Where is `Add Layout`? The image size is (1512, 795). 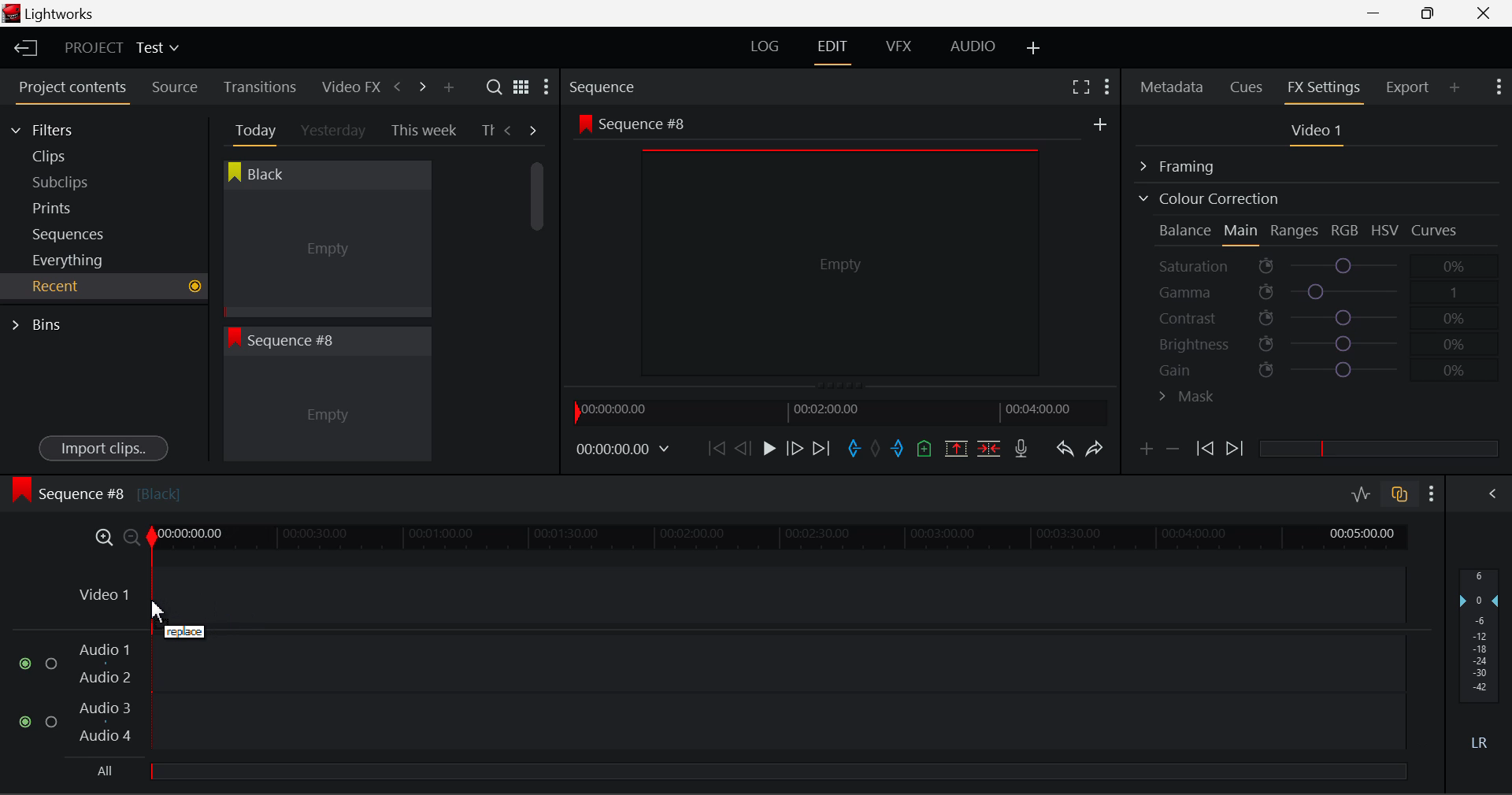
Add Layout is located at coordinates (1034, 49).